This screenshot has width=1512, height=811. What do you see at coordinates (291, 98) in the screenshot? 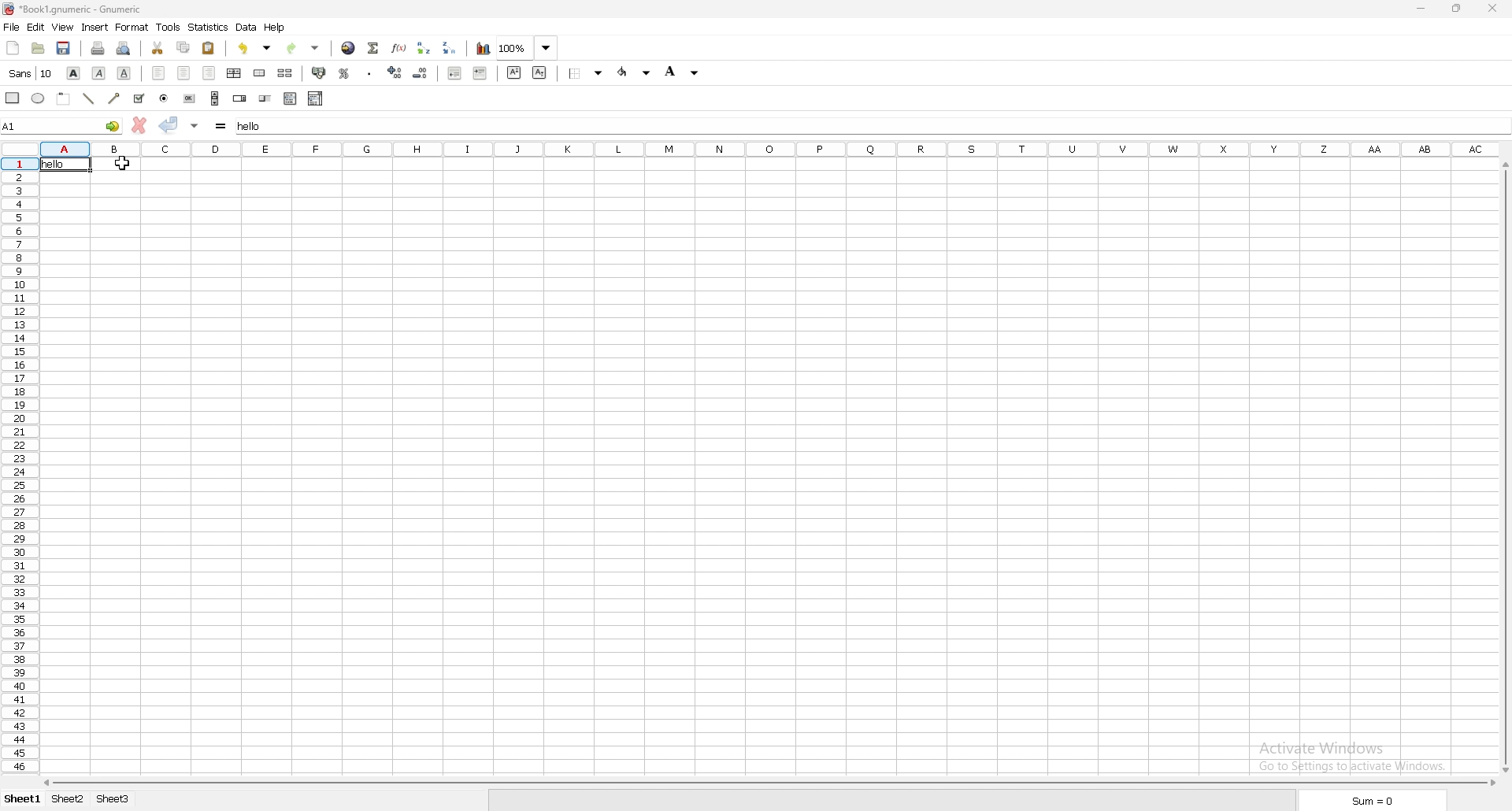
I see `create list` at bounding box center [291, 98].